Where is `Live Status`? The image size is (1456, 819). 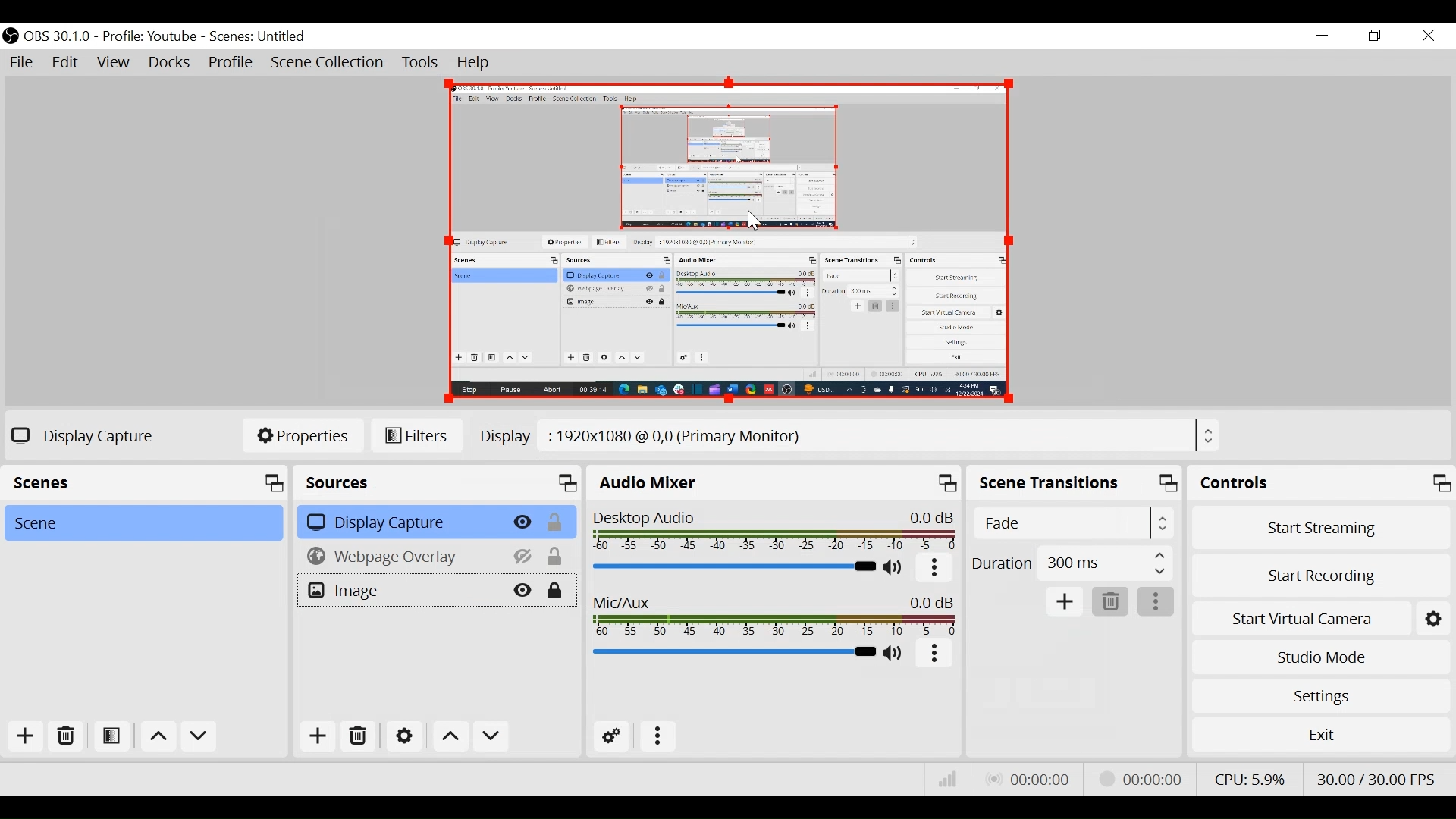 Live Status is located at coordinates (1030, 779).